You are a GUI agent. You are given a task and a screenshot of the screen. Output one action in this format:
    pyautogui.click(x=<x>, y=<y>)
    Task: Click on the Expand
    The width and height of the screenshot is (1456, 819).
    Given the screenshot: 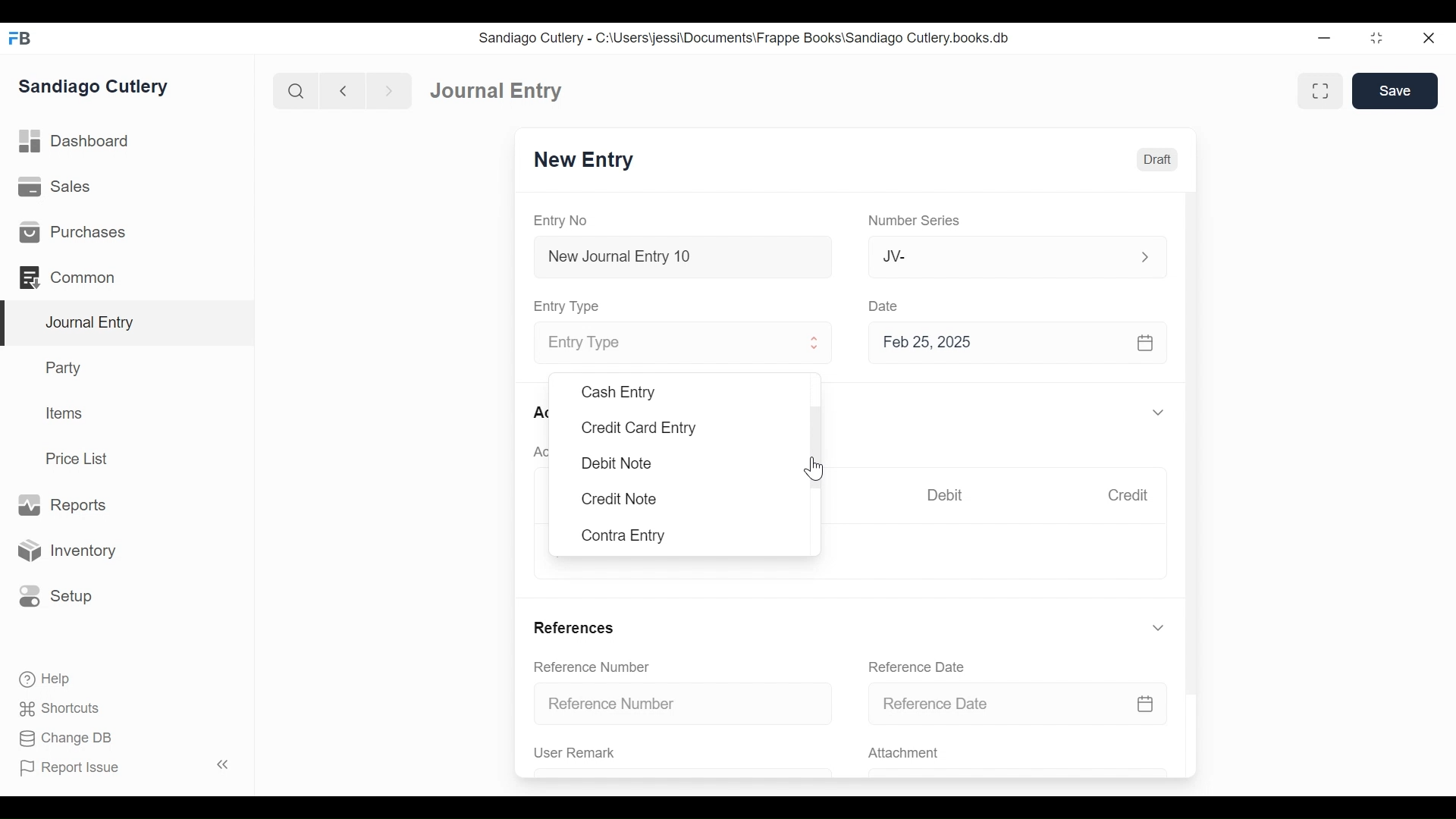 What is the action you would take?
    pyautogui.click(x=816, y=345)
    